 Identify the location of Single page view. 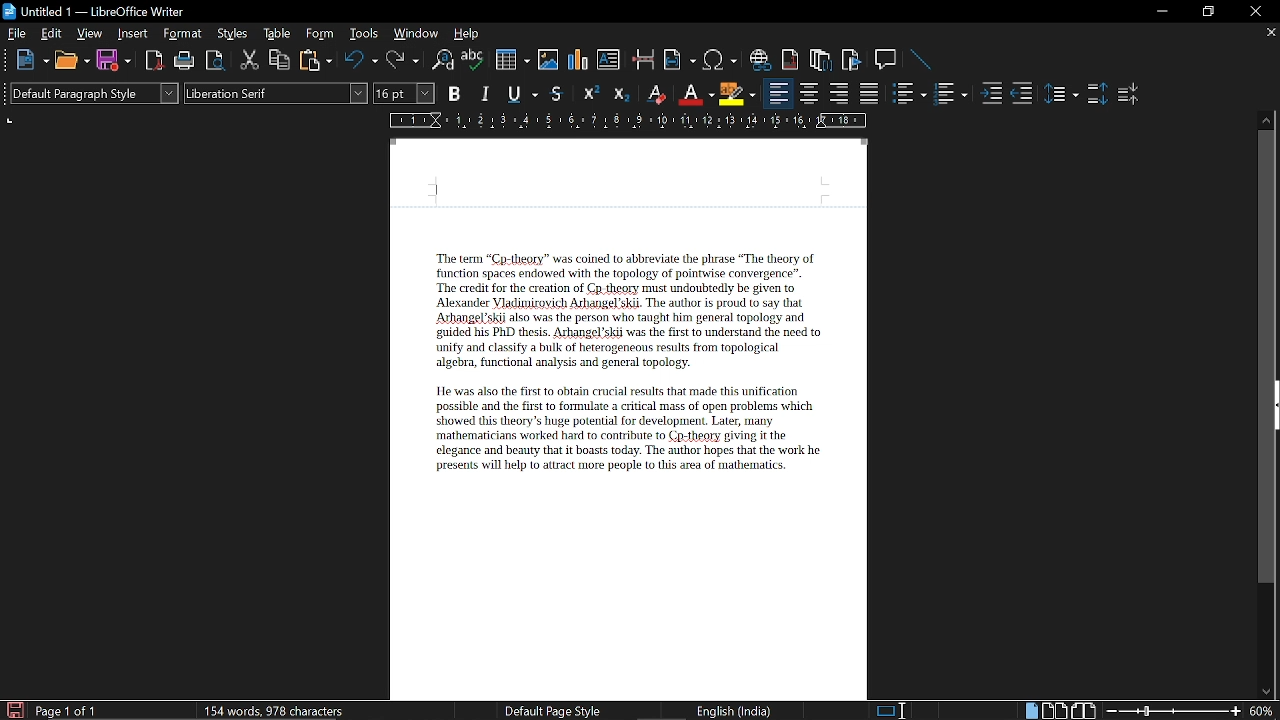
(1032, 710).